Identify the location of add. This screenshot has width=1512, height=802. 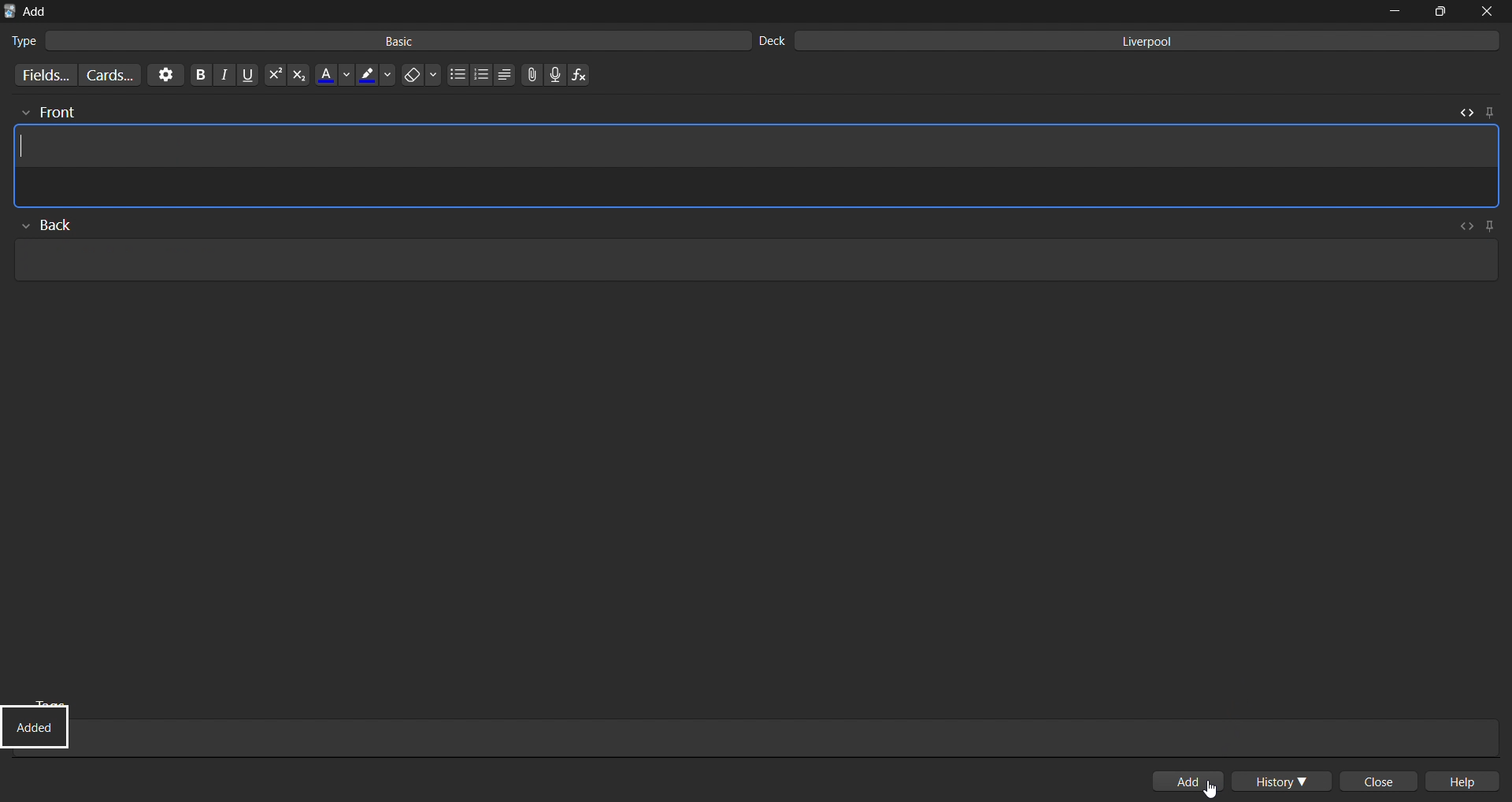
(1191, 781).